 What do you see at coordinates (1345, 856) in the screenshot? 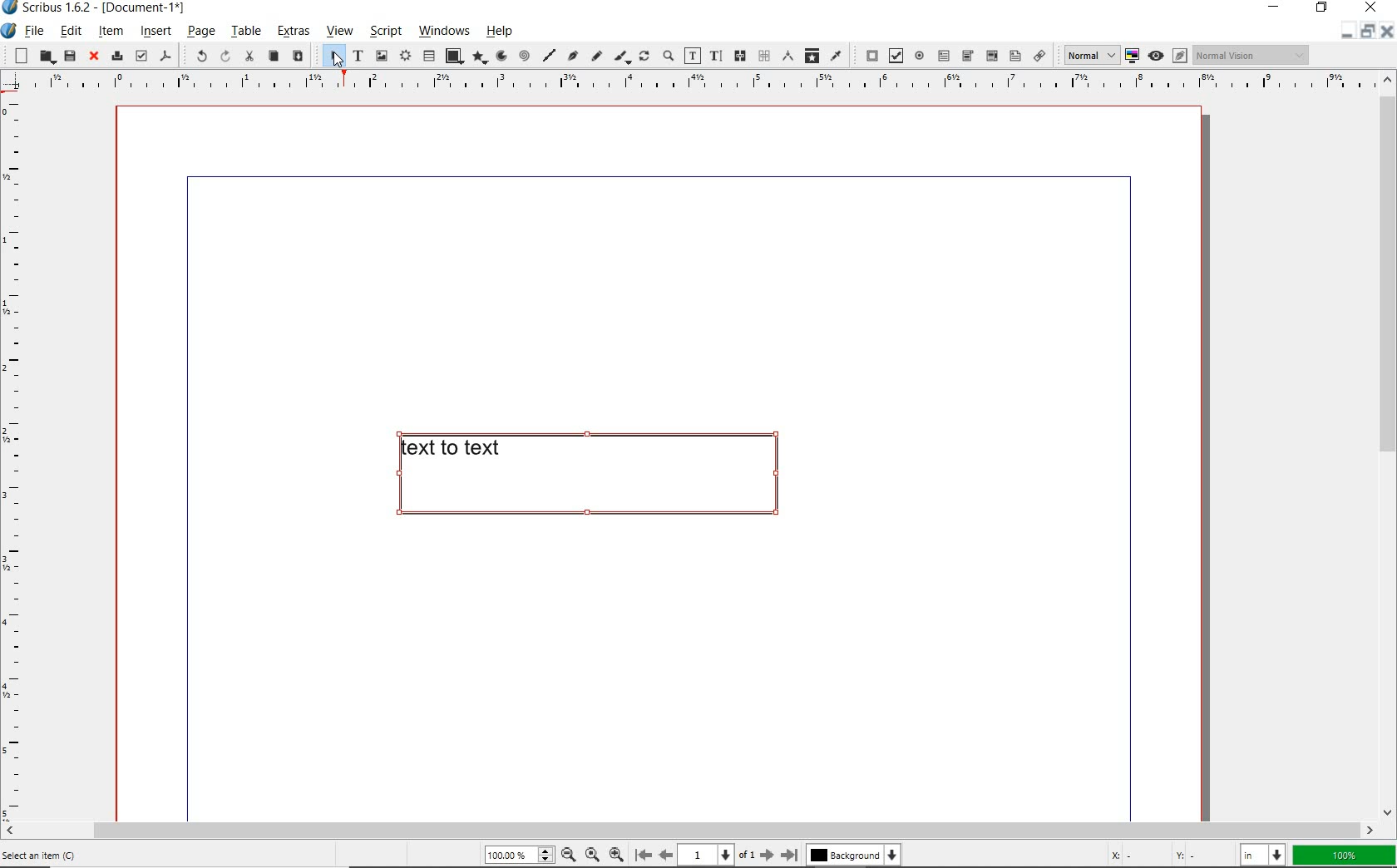
I see `100%` at bounding box center [1345, 856].